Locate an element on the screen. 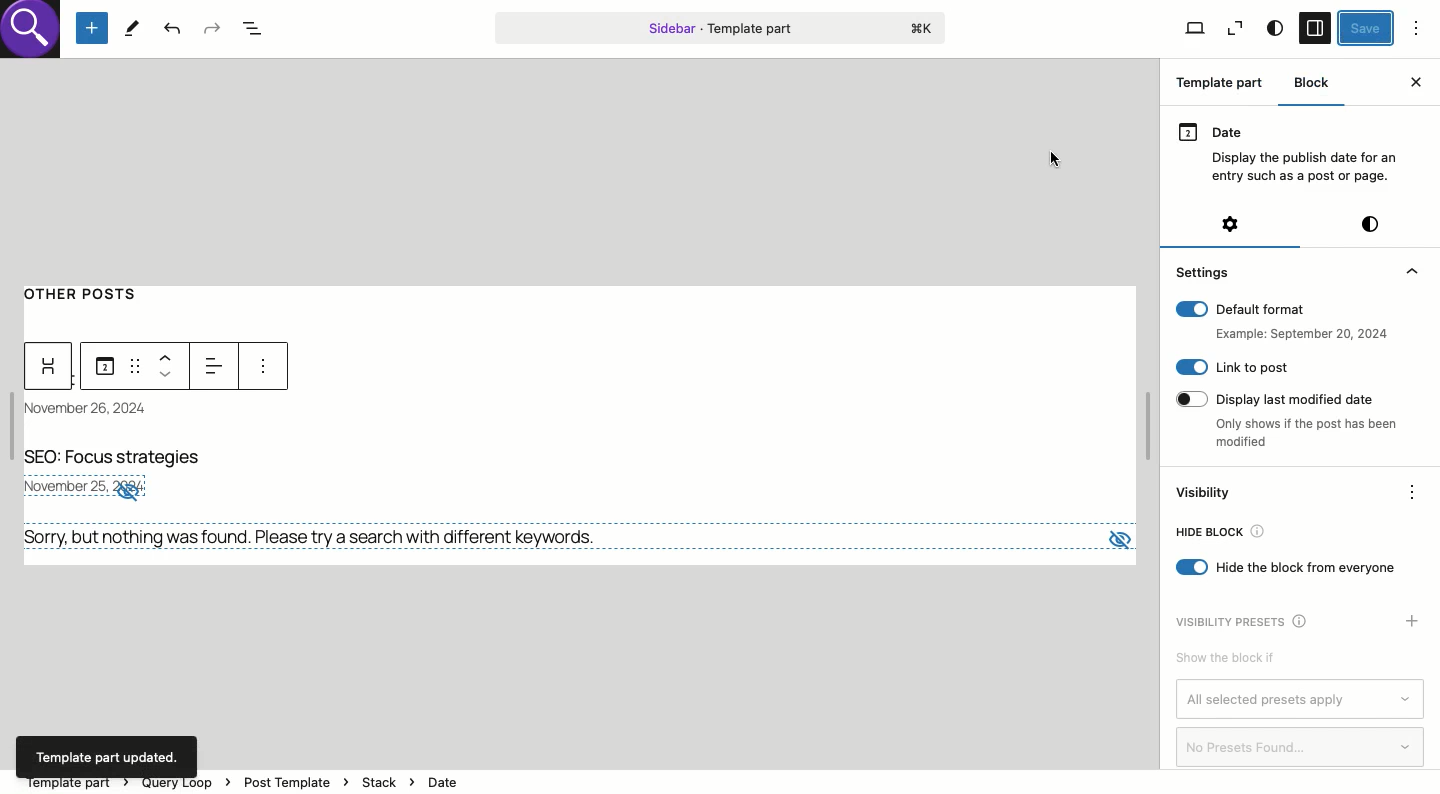  example is located at coordinates (1297, 334).